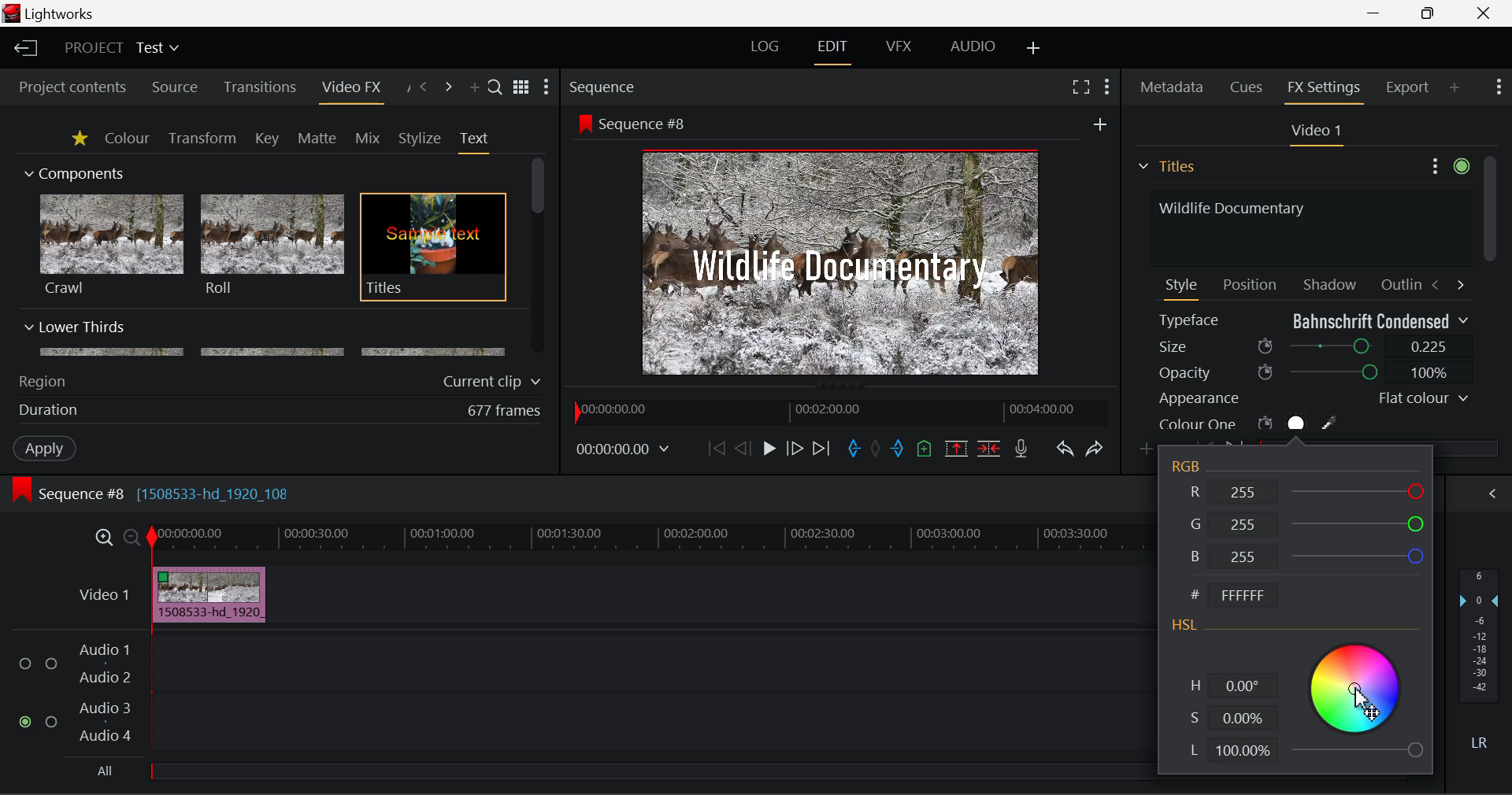 This screenshot has height=795, width=1512. What do you see at coordinates (112, 245) in the screenshot?
I see `Crawl` at bounding box center [112, 245].